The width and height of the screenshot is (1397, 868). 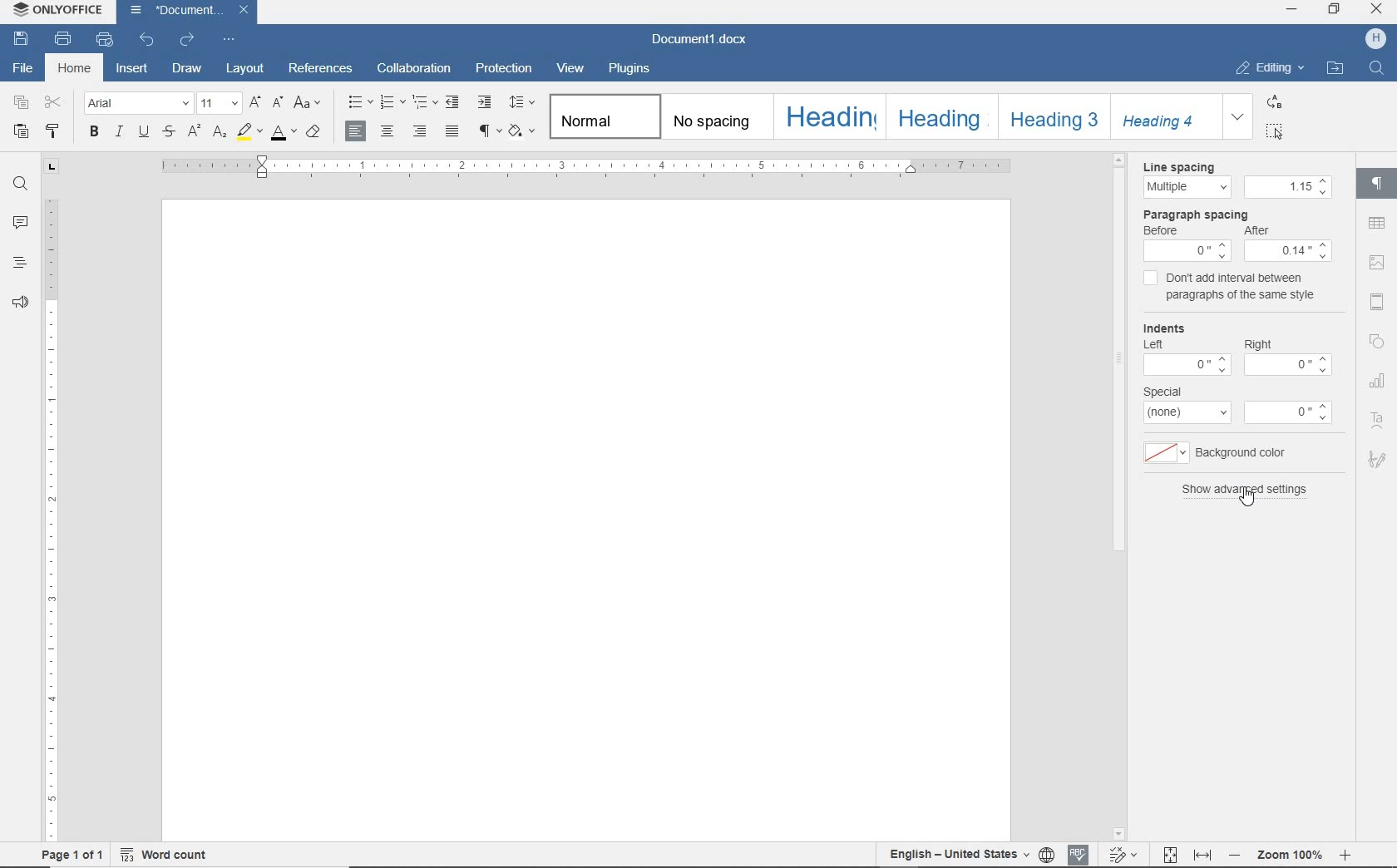 What do you see at coordinates (488, 132) in the screenshot?
I see `nonprinting characters` at bounding box center [488, 132].